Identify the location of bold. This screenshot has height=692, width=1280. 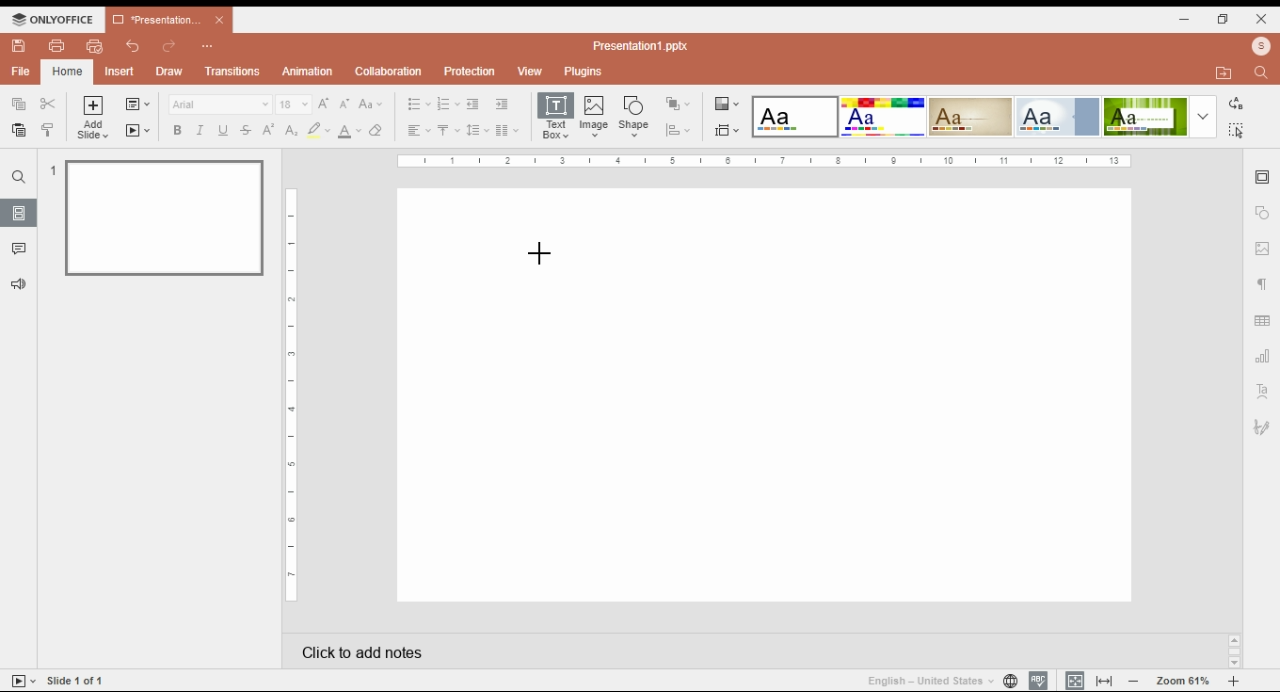
(177, 130).